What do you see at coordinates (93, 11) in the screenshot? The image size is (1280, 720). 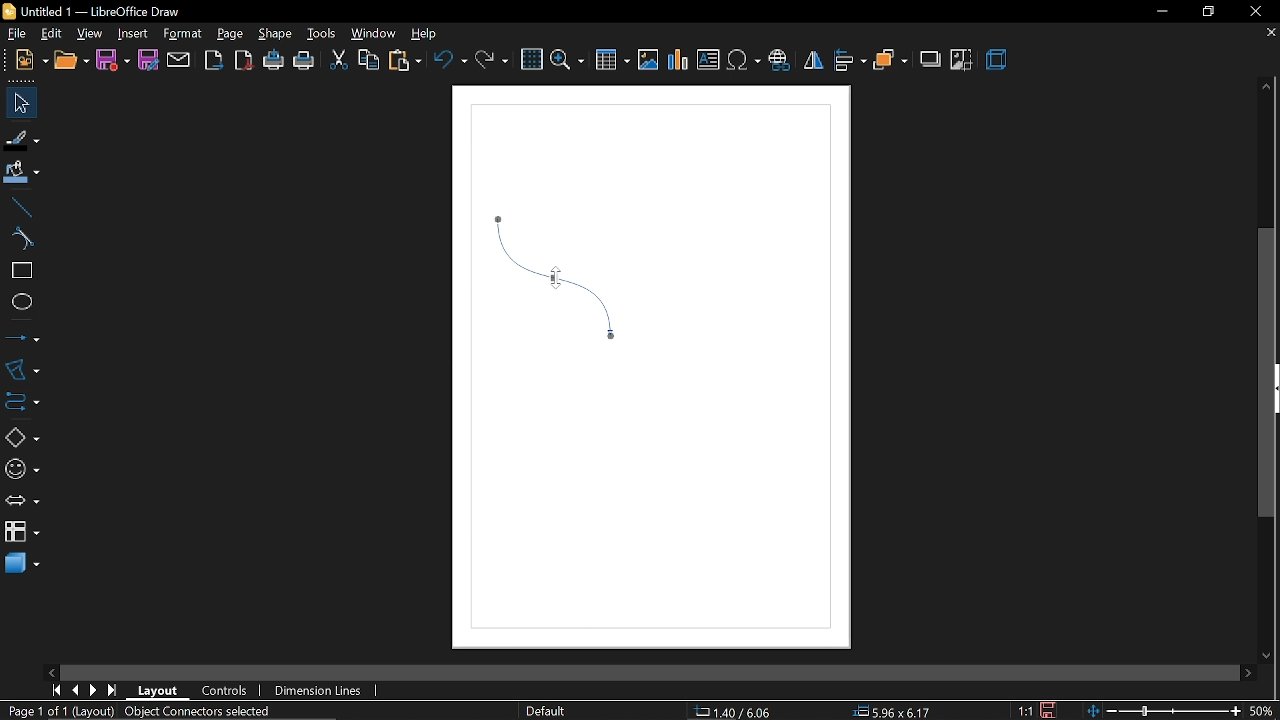 I see `Untitled 1 - LibreOffice Draw` at bounding box center [93, 11].